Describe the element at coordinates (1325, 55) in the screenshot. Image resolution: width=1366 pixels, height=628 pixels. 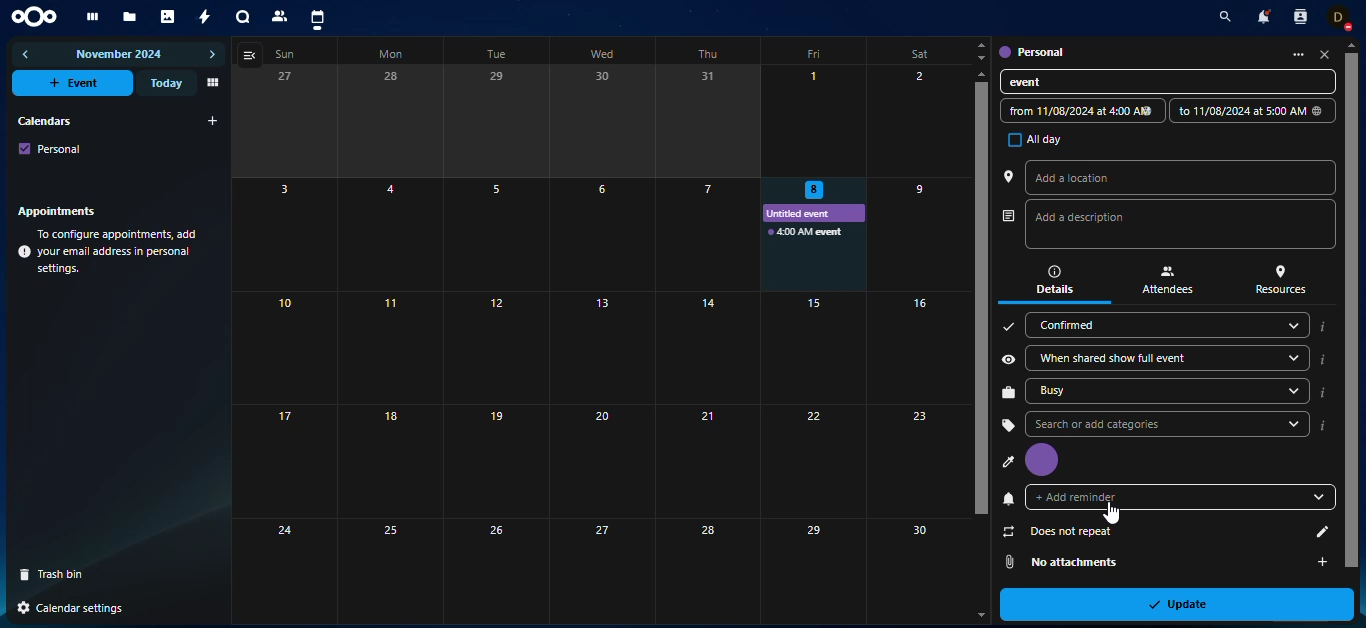
I see `close` at that location.